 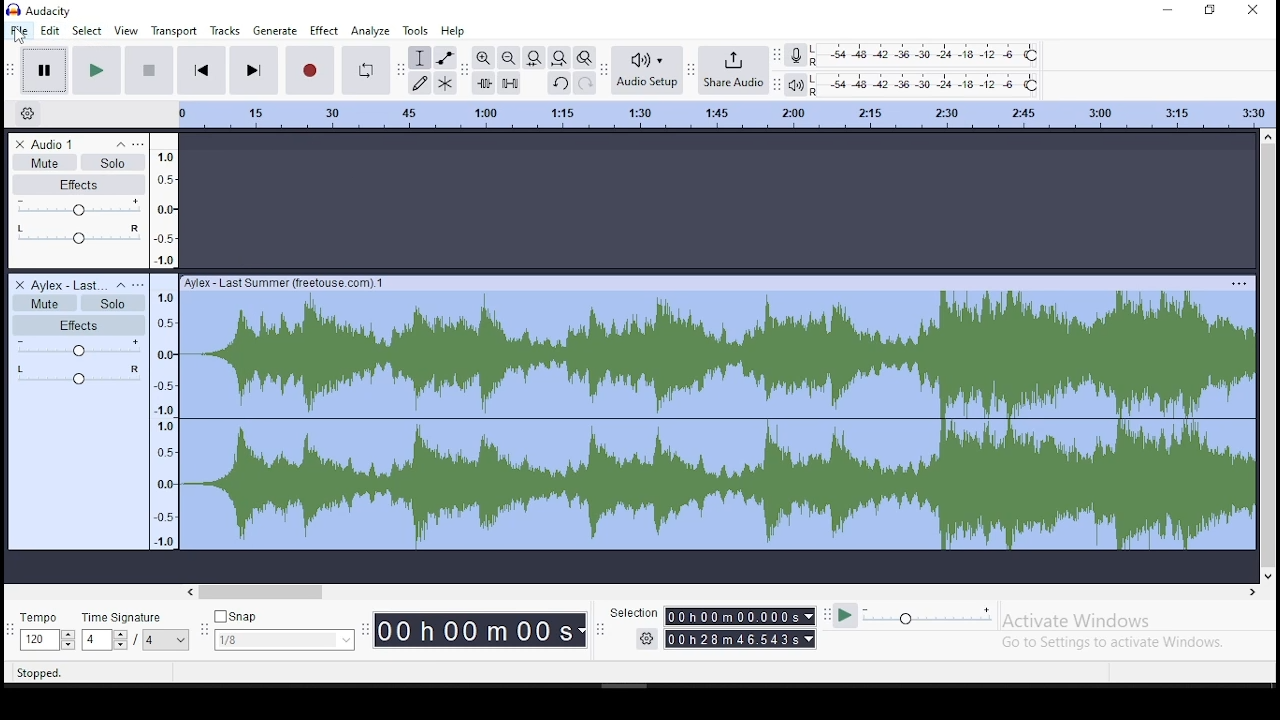 I want to click on fit selection to width, so click(x=534, y=59).